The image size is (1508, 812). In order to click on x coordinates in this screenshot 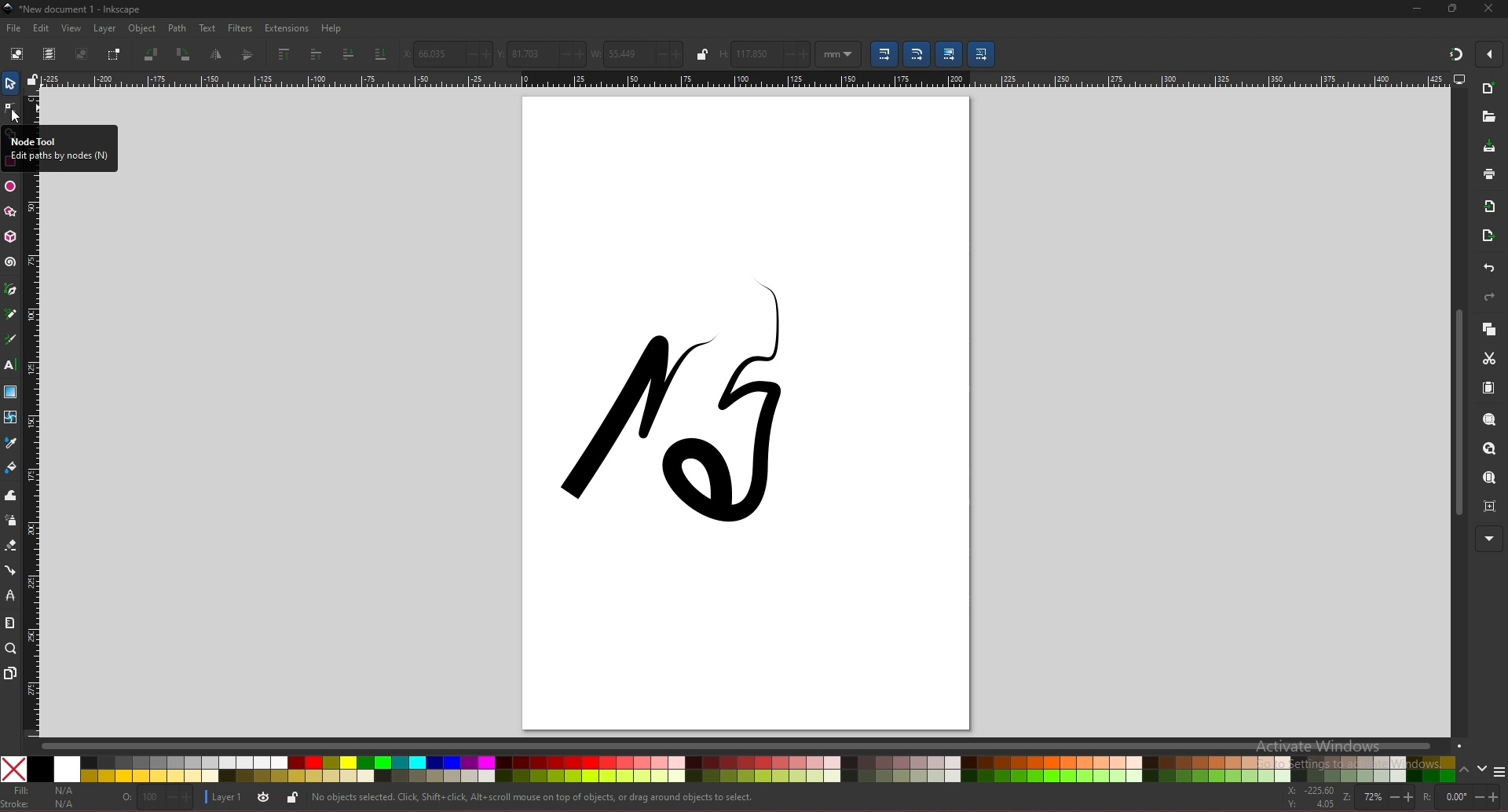, I will do `click(445, 53)`.